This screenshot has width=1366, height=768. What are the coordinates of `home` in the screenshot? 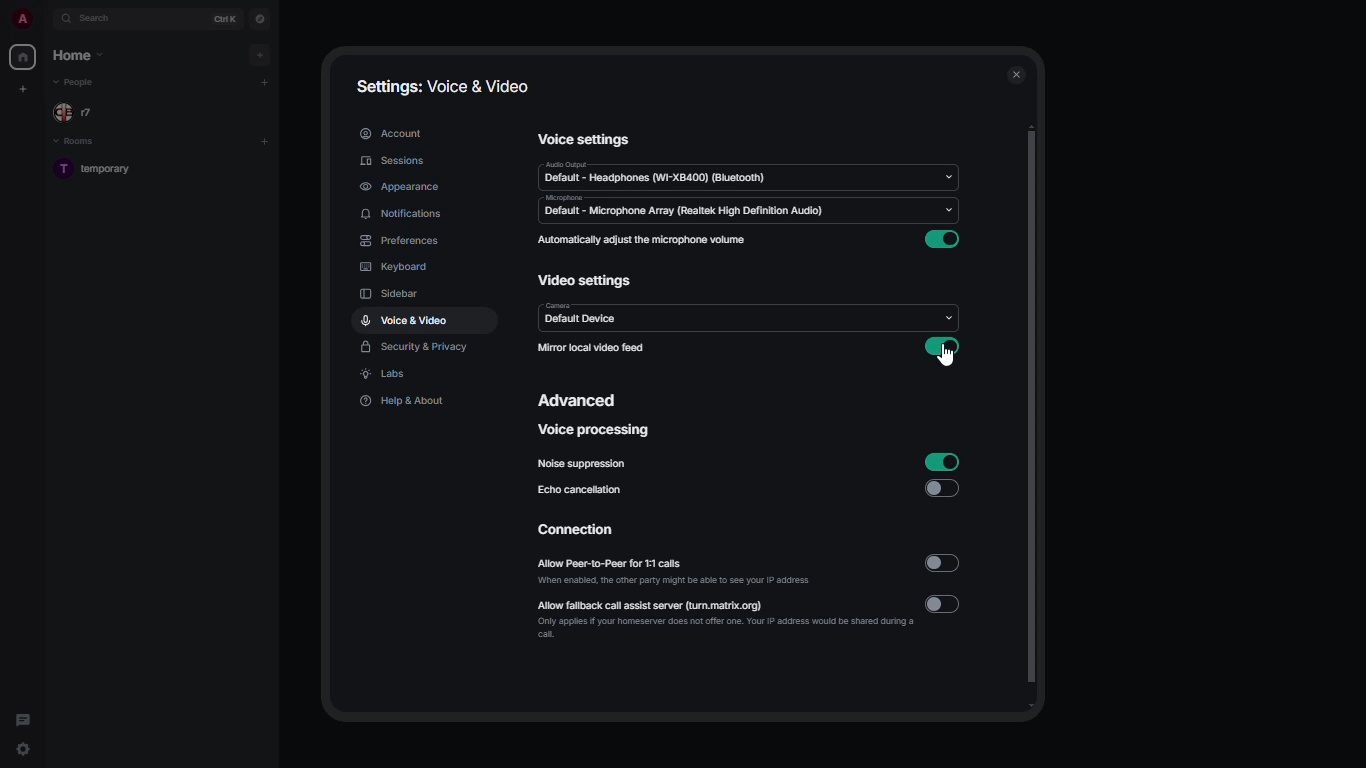 It's located at (22, 57).